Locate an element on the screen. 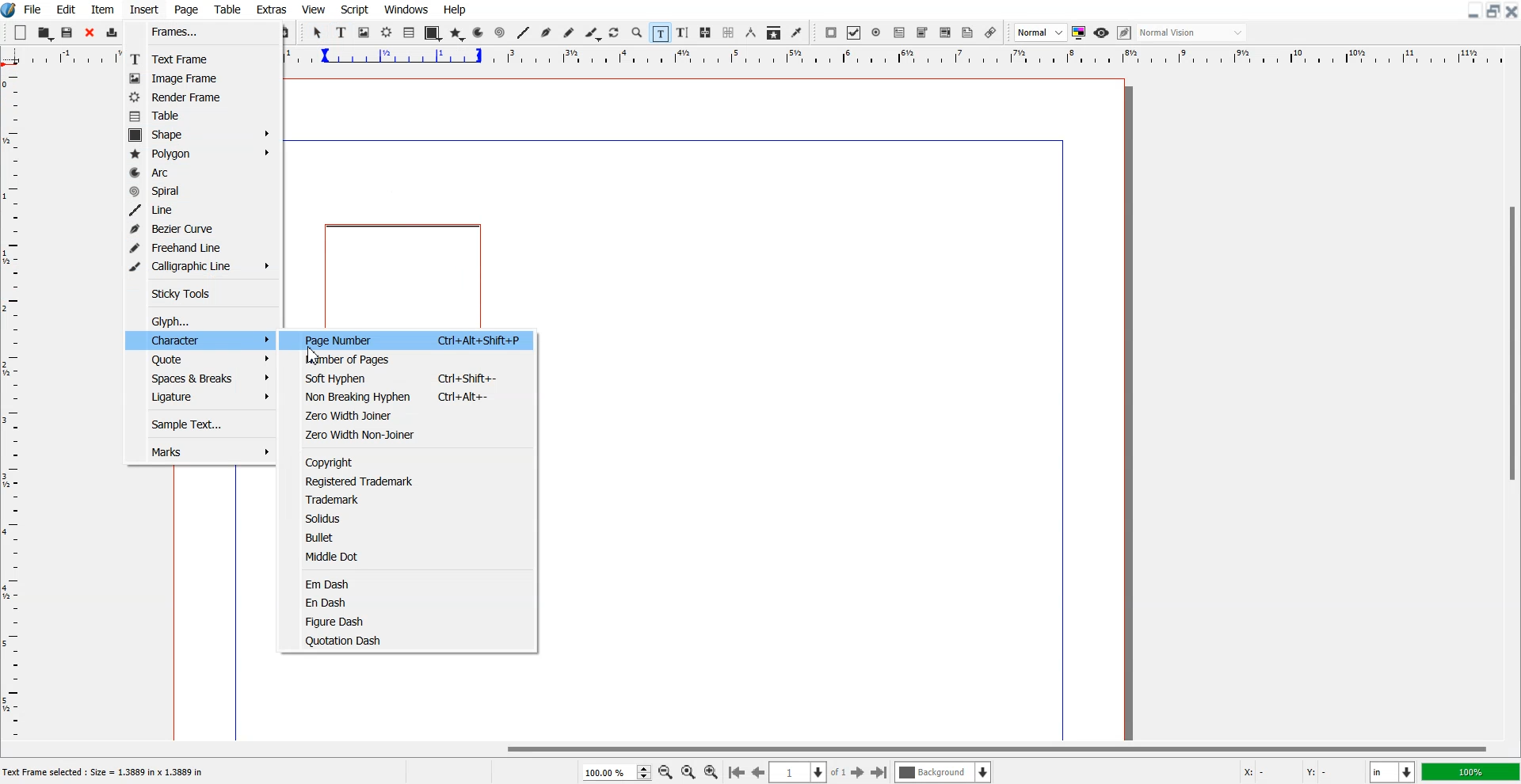  Select Item is located at coordinates (319, 32).